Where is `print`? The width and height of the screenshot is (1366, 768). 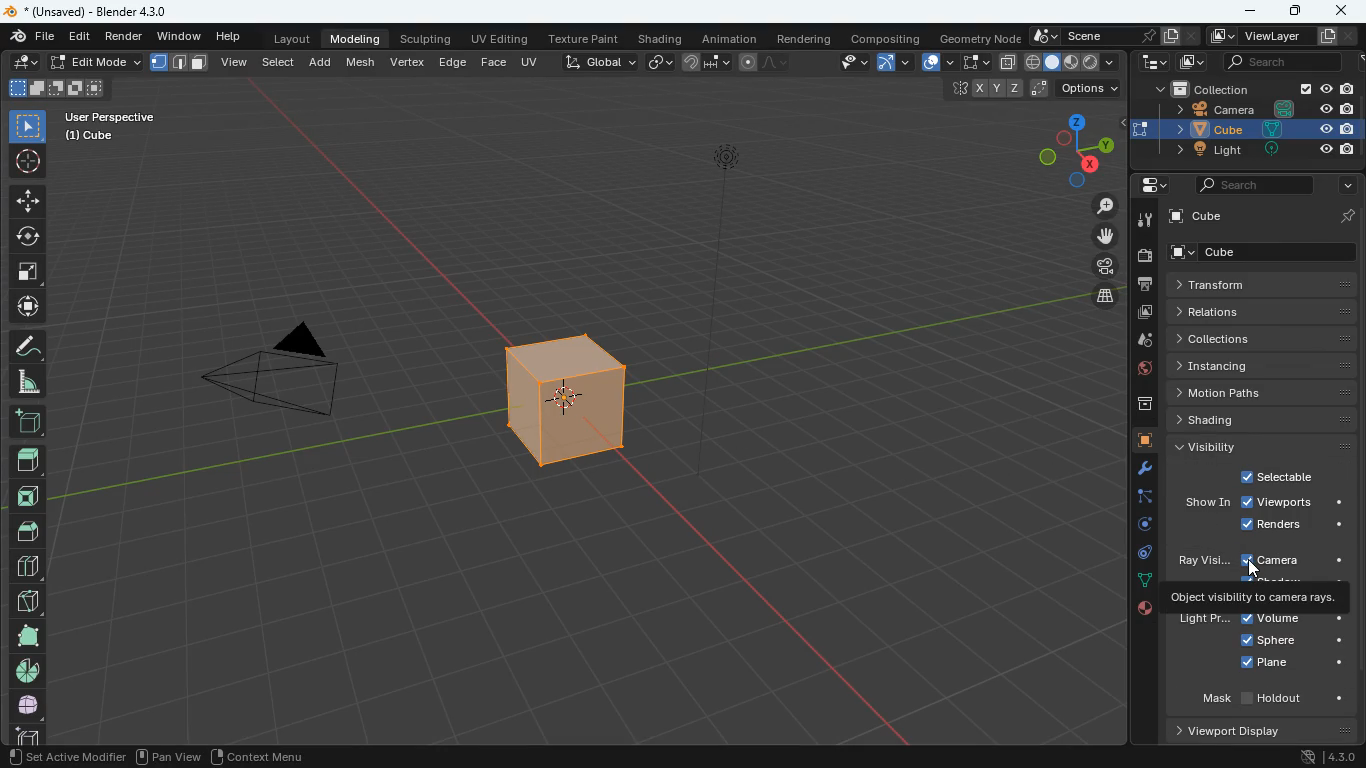
print is located at coordinates (1148, 286).